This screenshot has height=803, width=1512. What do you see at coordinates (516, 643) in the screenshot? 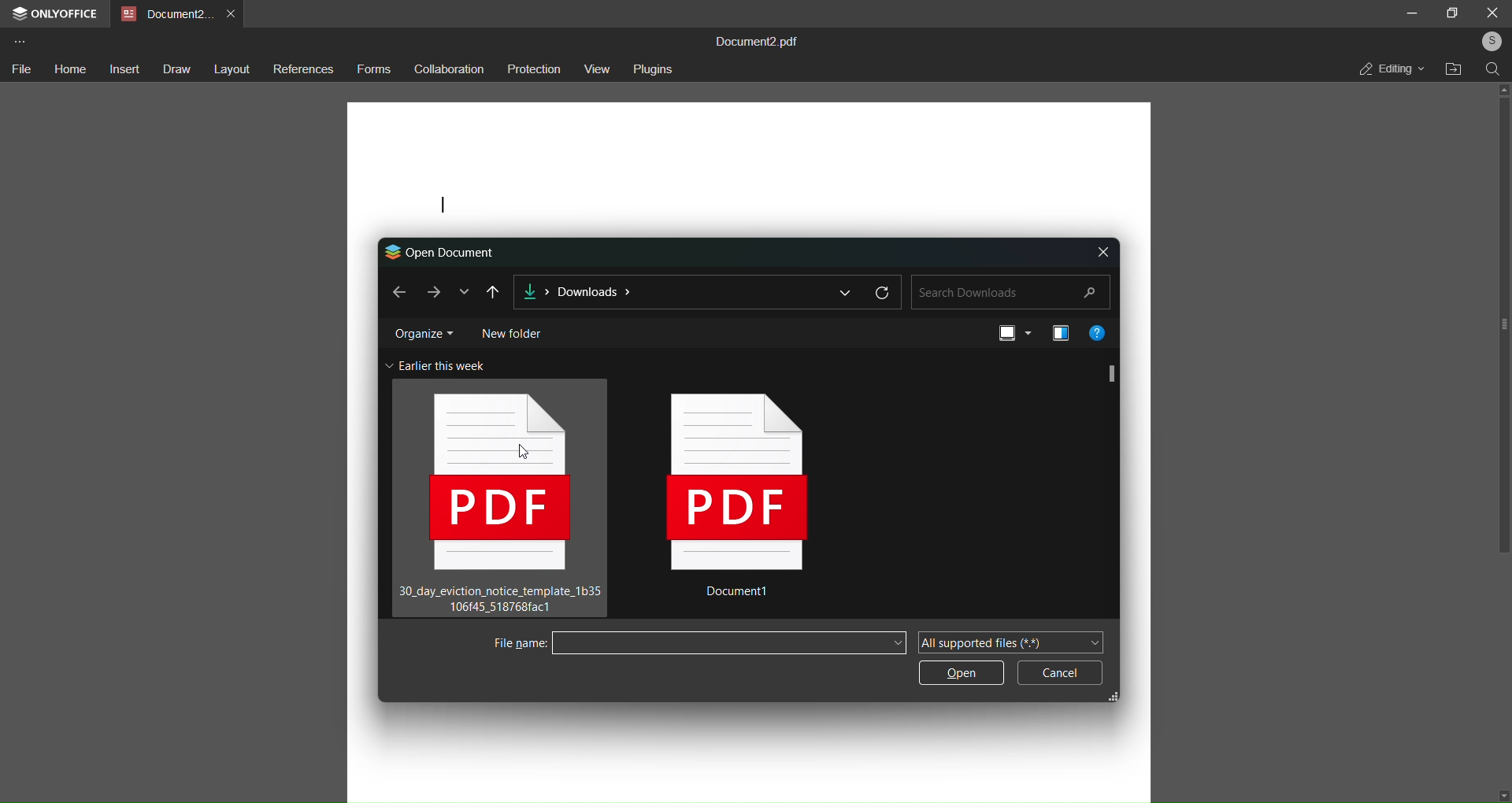
I see `file name` at bounding box center [516, 643].